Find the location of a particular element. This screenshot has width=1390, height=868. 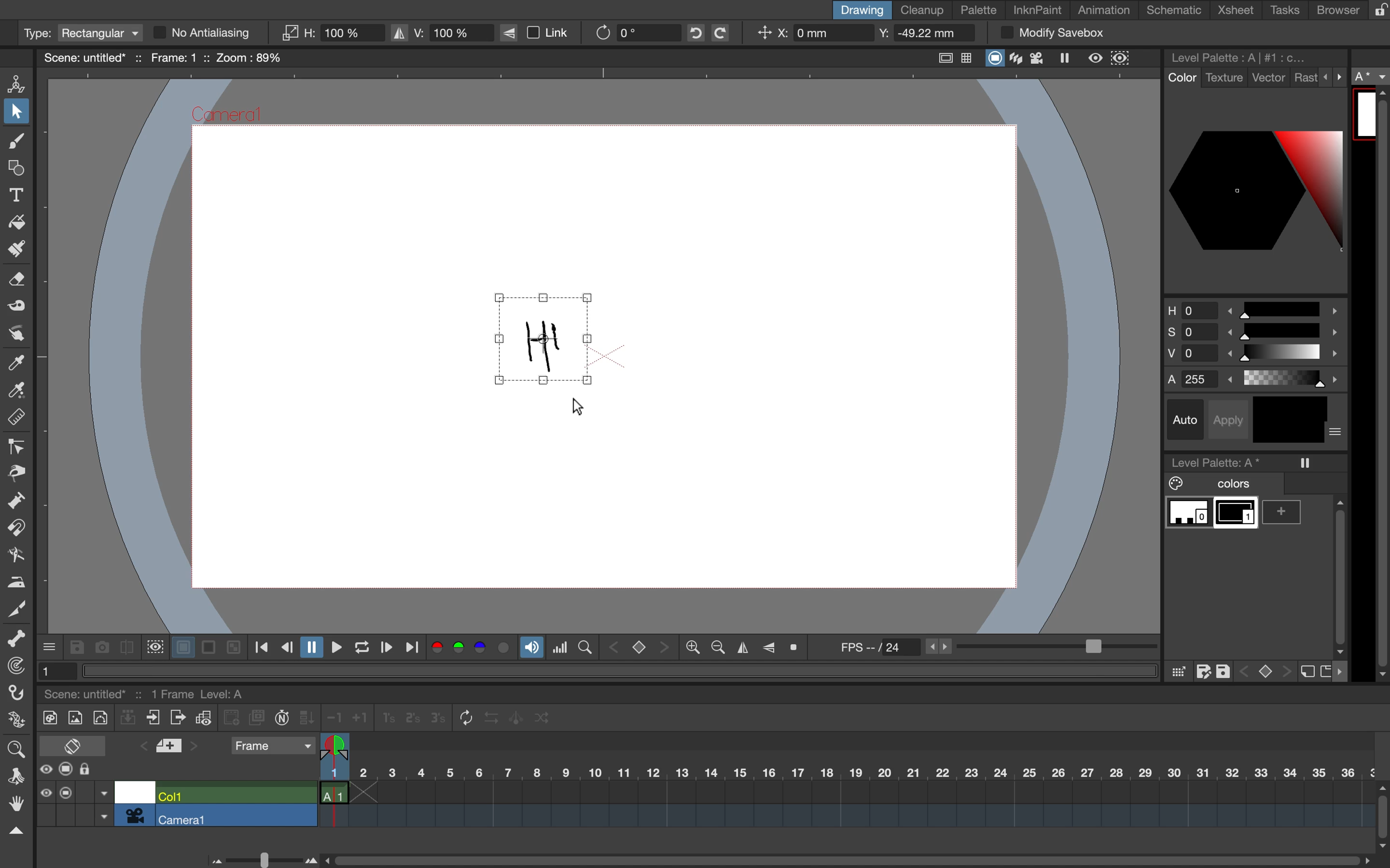

camera stand visibility toggle all is located at coordinates (65, 792).